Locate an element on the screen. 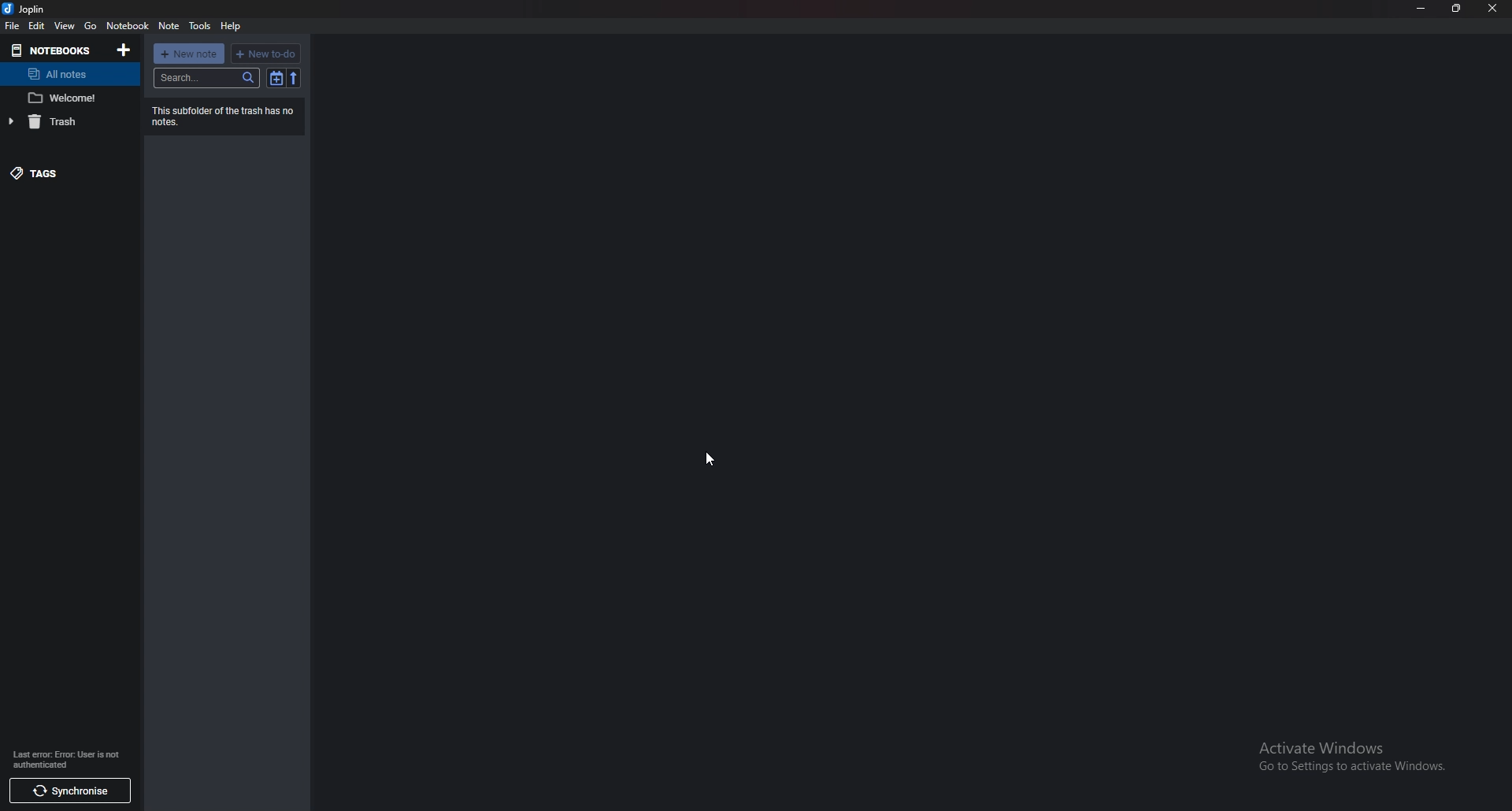  Info is located at coordinates (69, 760).